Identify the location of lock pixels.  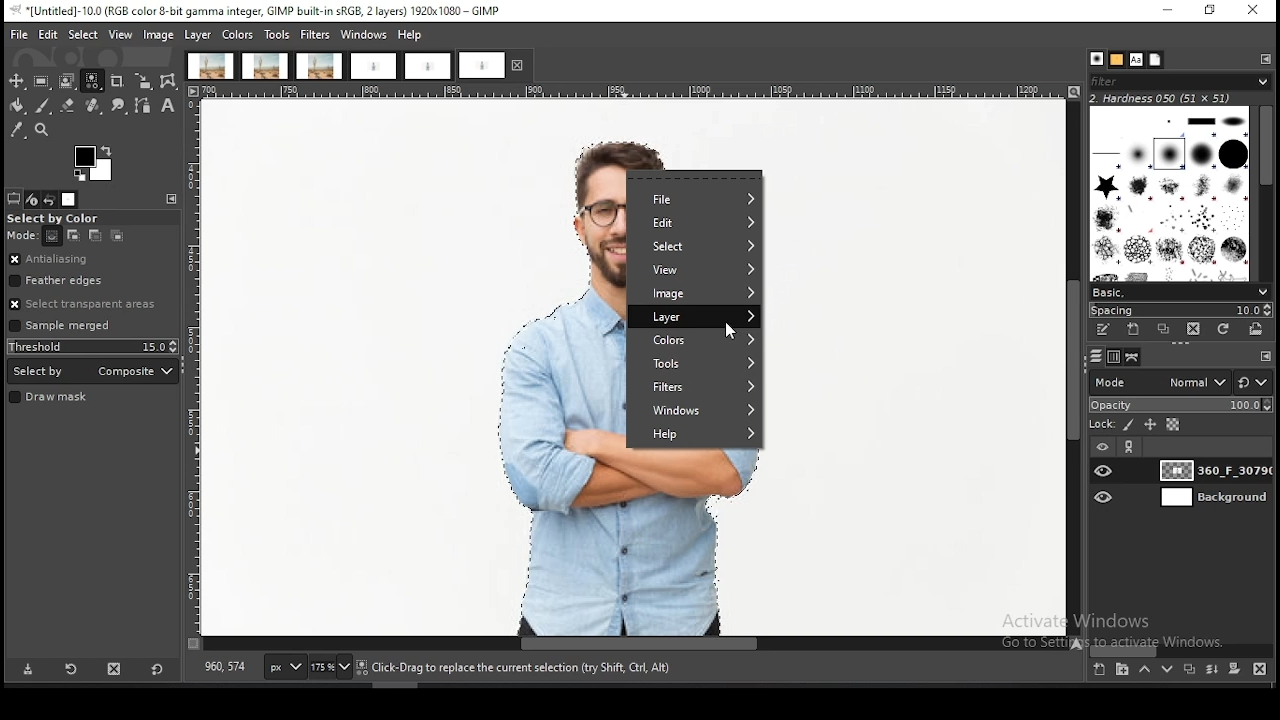
(1129, 426).